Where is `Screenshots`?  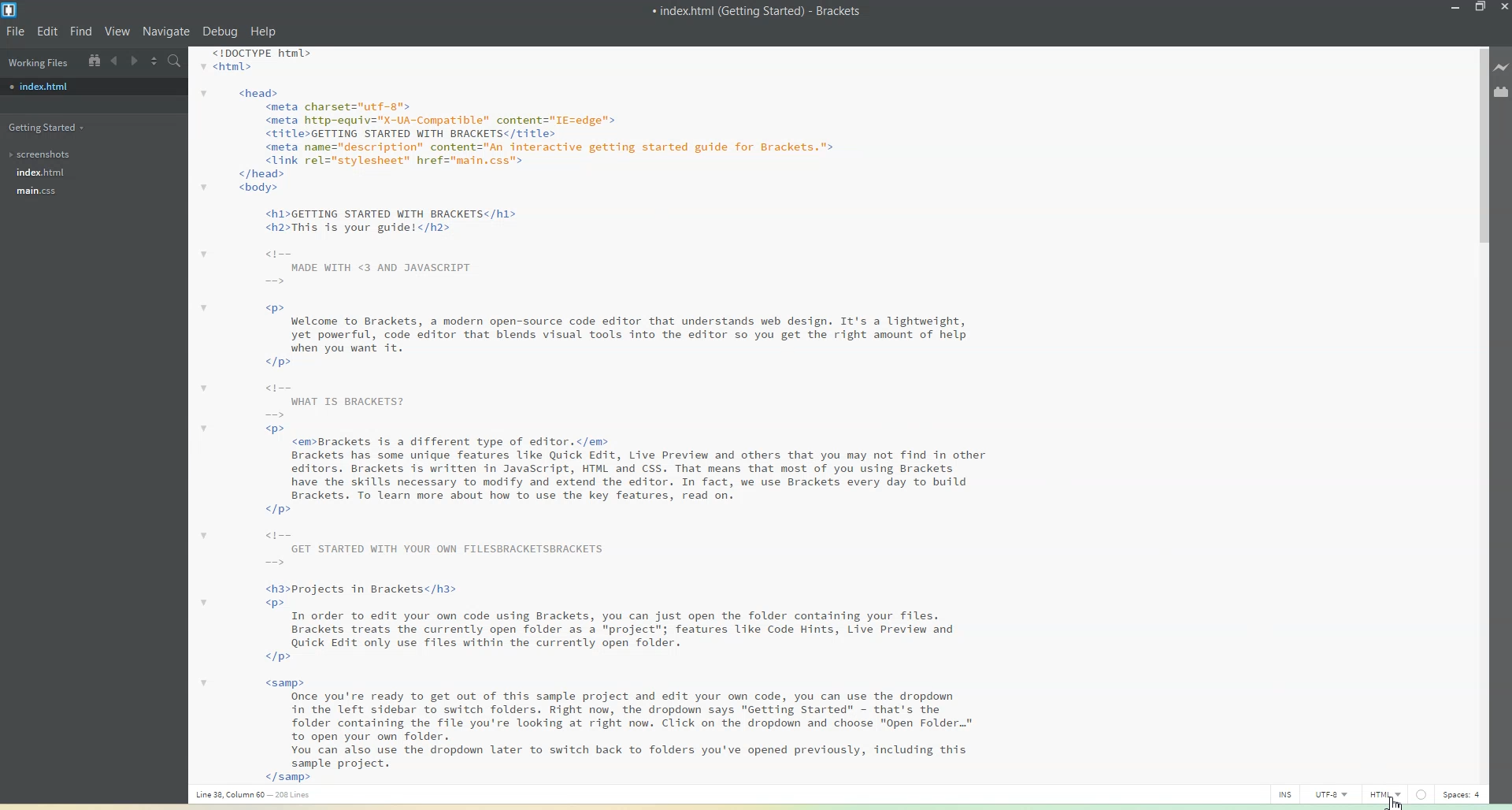
Screenshots is located at coordinates (44, 154).